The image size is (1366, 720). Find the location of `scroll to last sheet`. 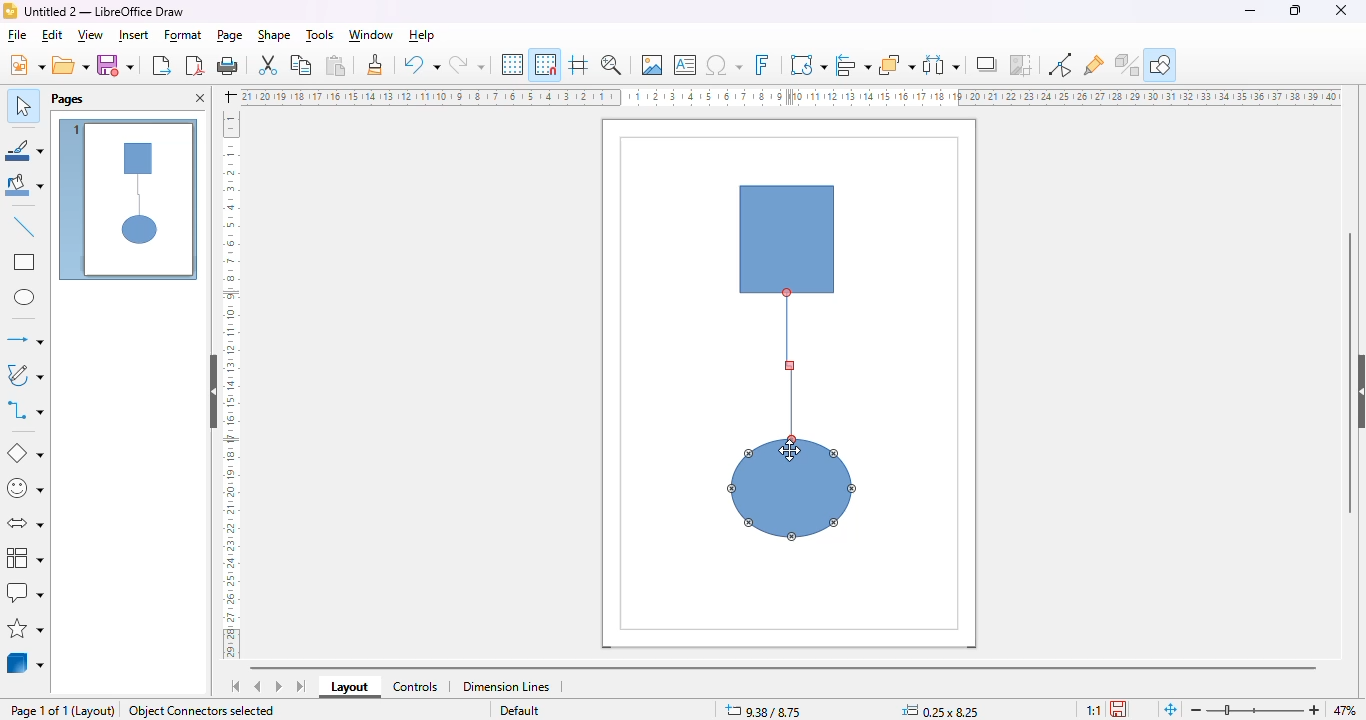

scroll to last sheet is located at coordinates (302, 687).